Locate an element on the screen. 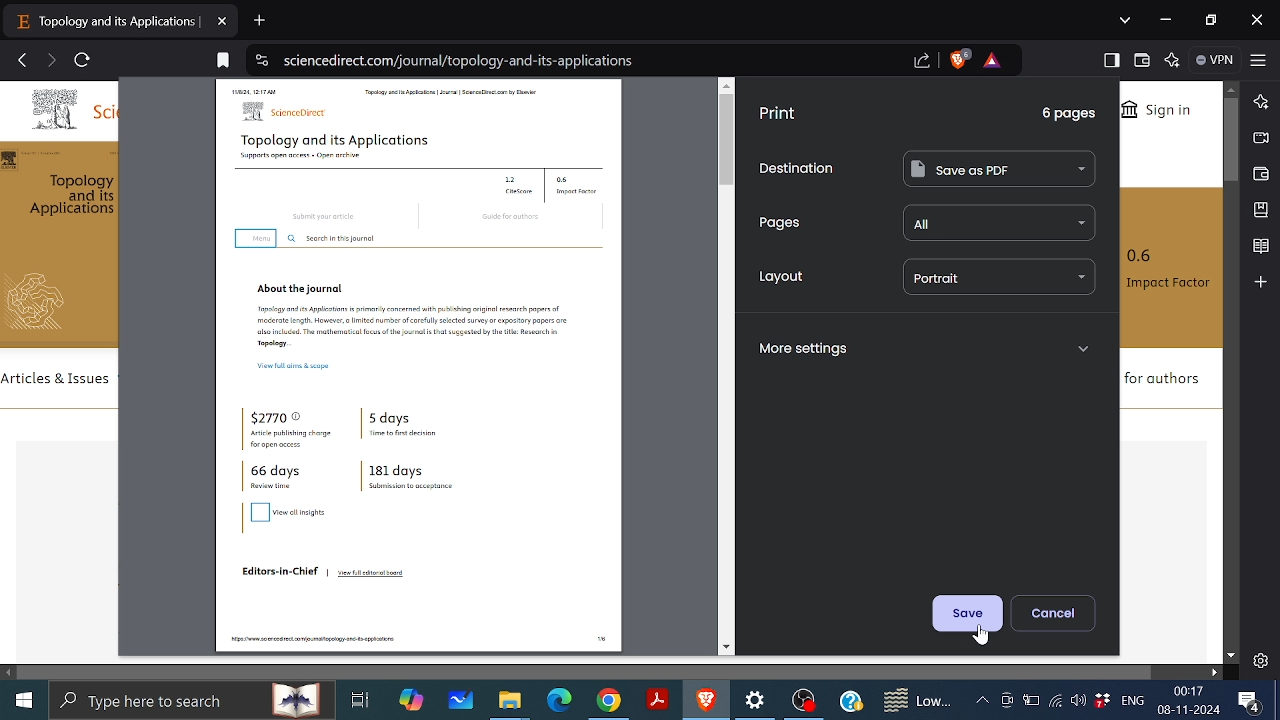  66 days is located at coordinates (287, 479).